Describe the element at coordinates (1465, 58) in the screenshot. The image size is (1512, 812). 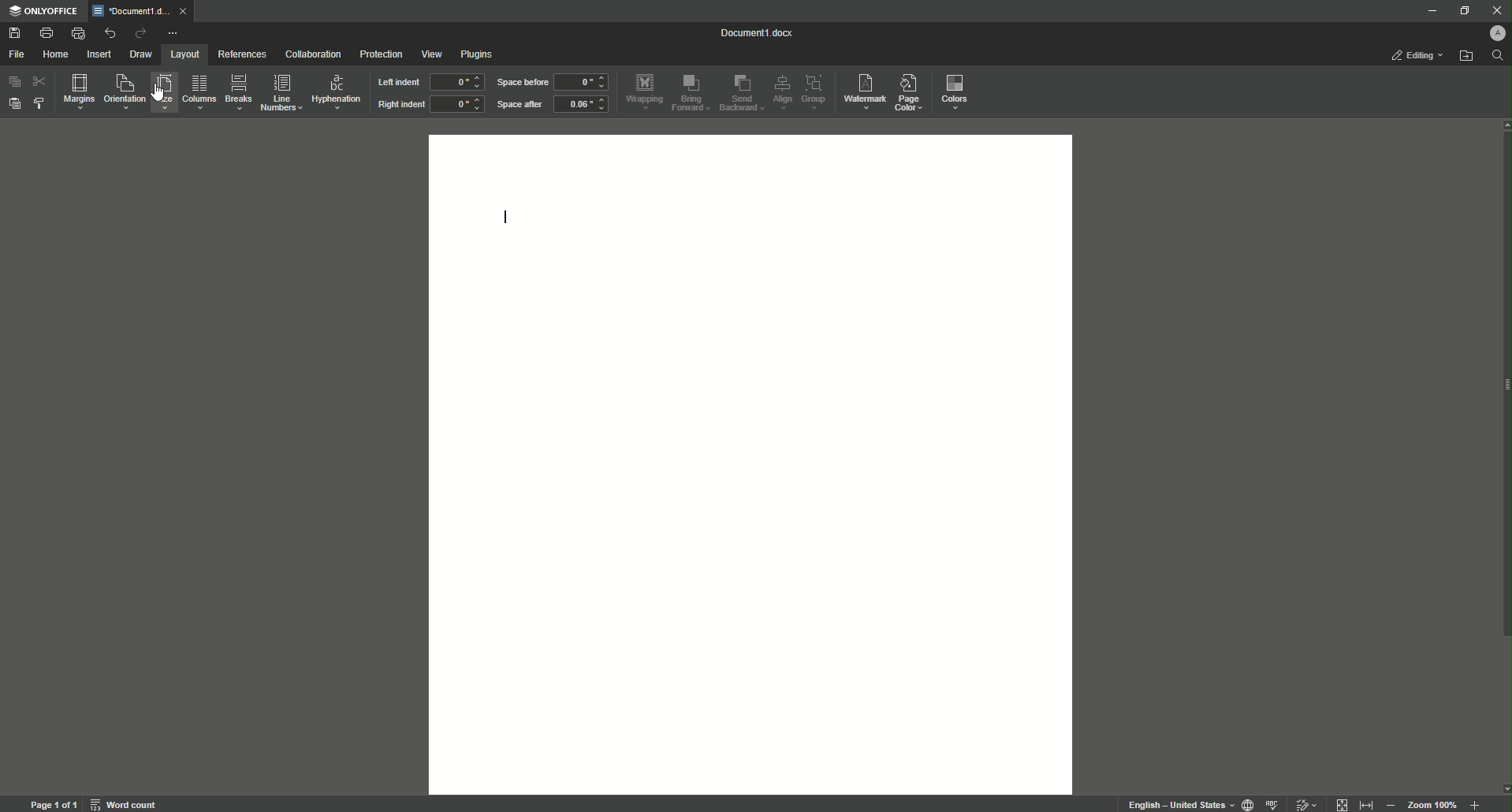
I see `Open File Location` at that location.